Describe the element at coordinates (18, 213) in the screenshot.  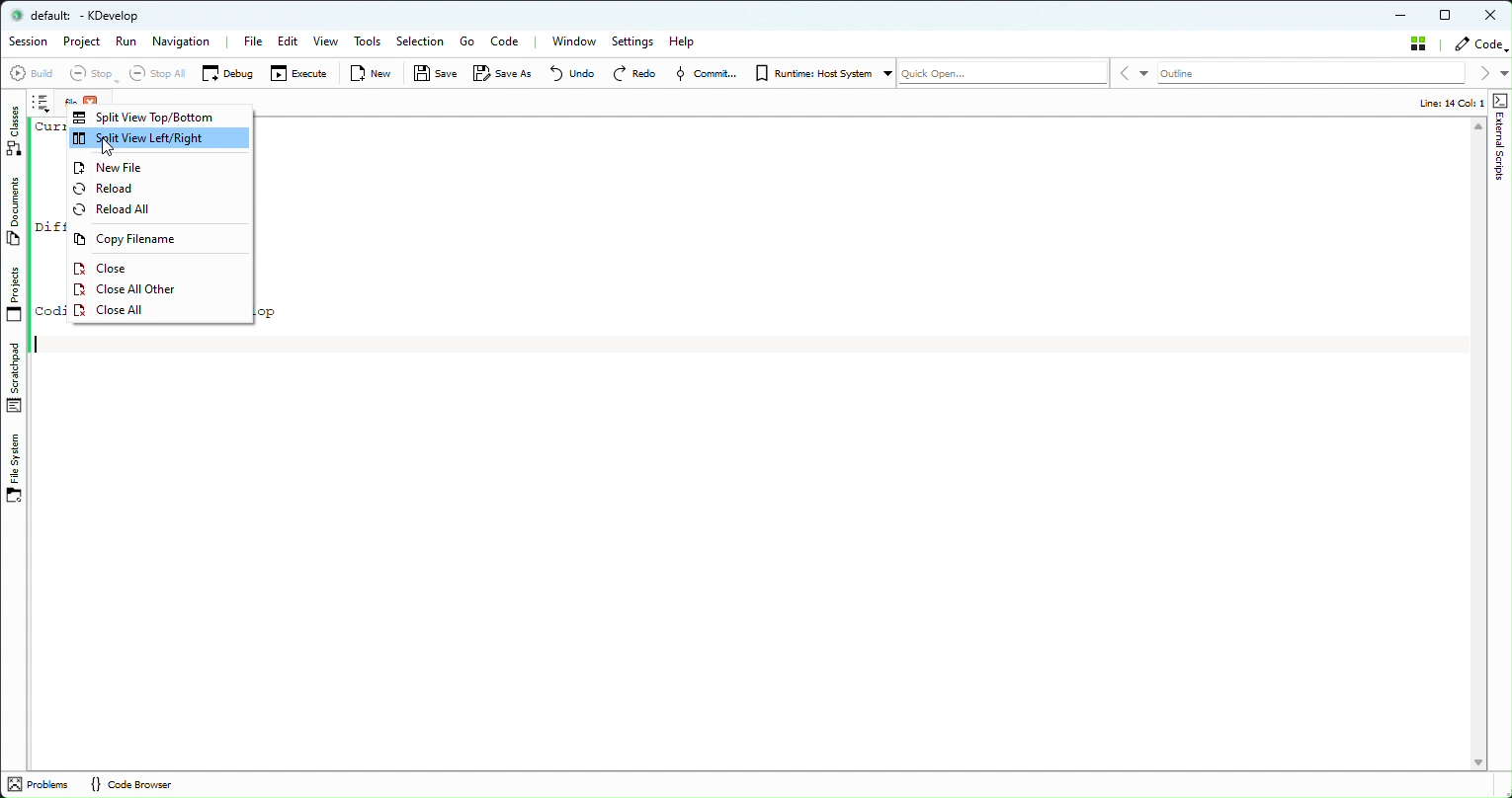
I see `Documents` at that location.